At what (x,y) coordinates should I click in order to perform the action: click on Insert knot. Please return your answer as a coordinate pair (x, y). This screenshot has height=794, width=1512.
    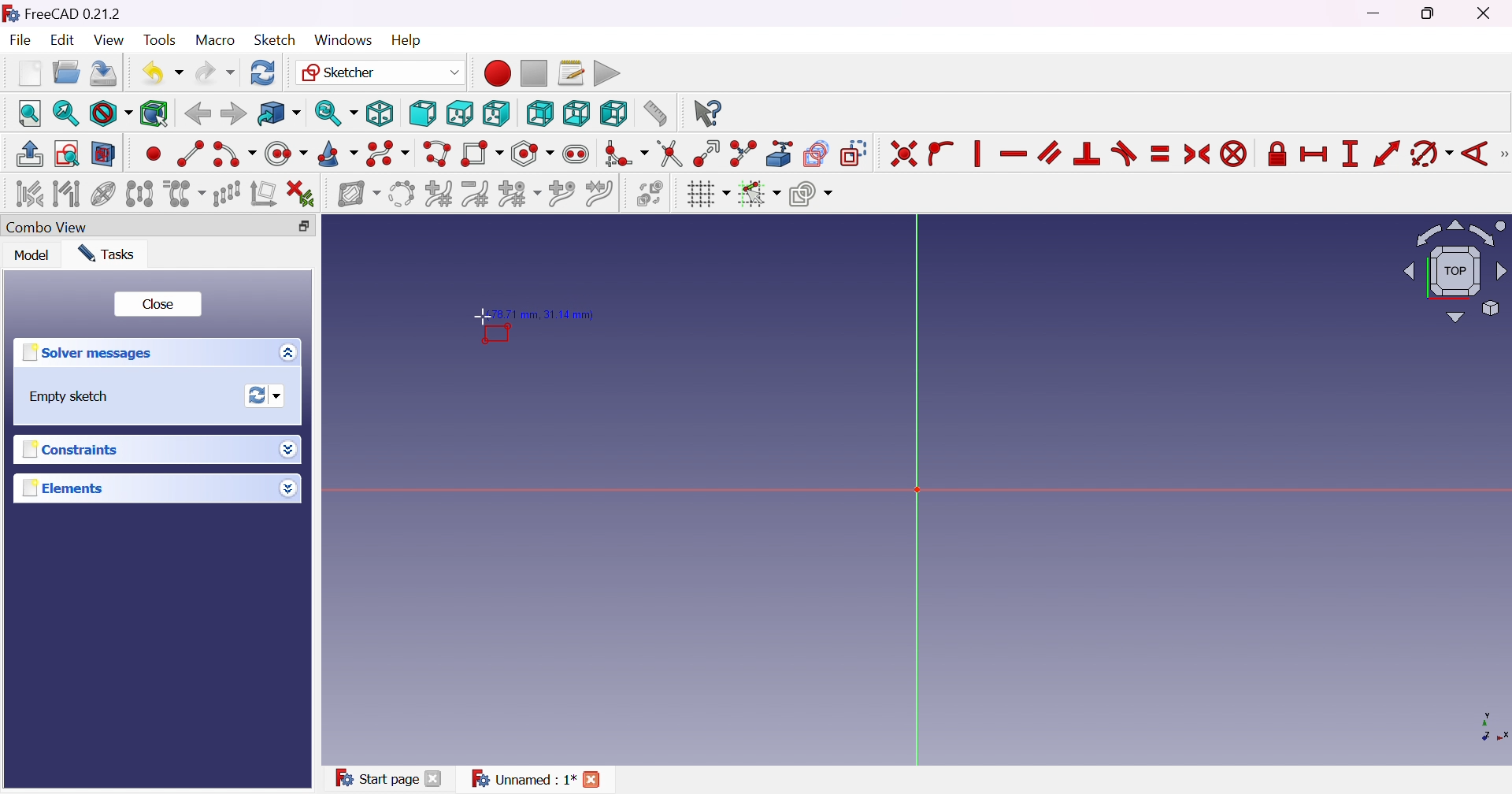
    Looking at the image, I should click on (561, 193).